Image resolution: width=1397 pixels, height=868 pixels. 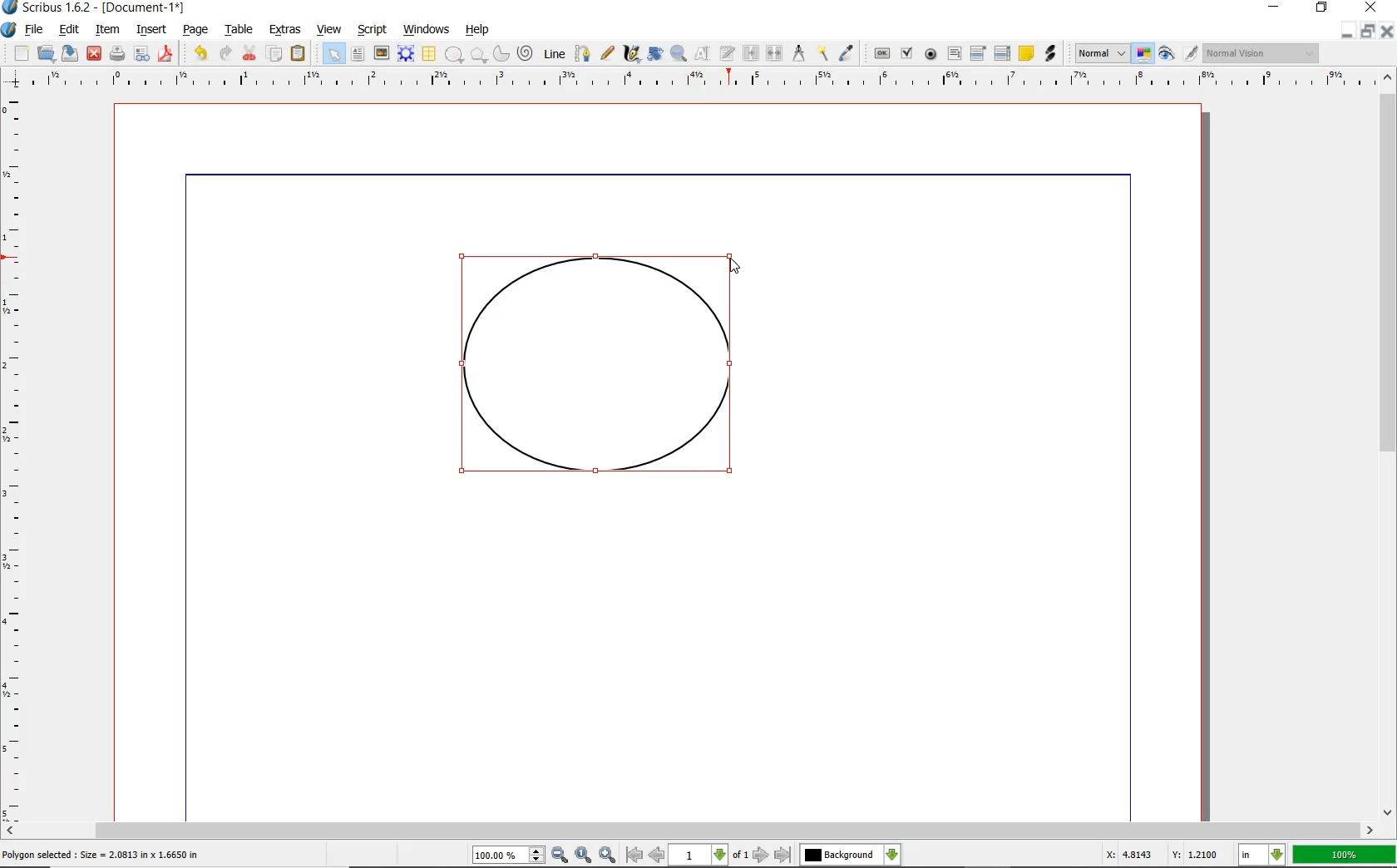 What do you see at coordinates (678, 54) in the screenshot?
I see `ZOOM IN OR OUT` at bounding box center [678, 54].